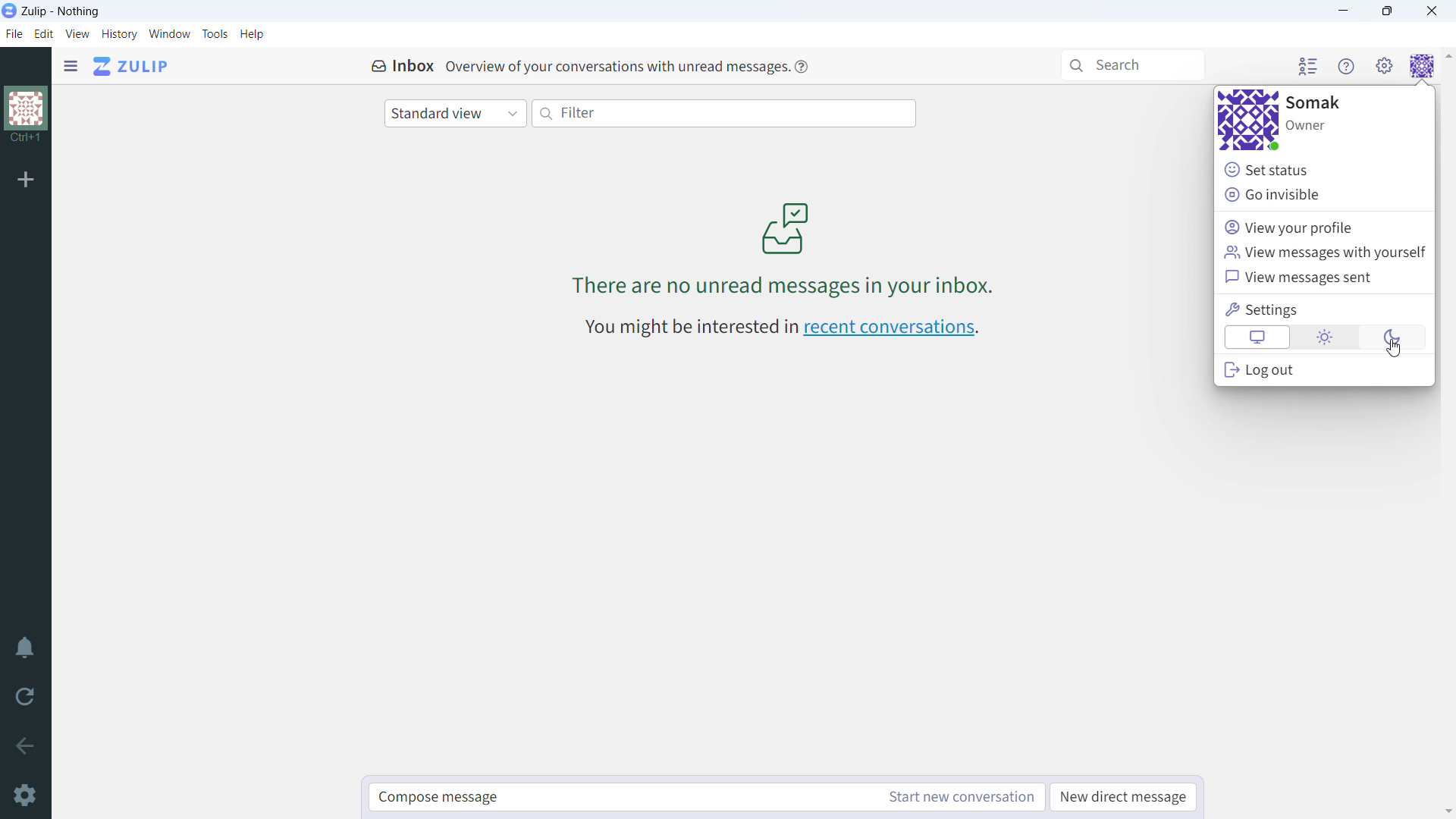  Describe the element at coordinates (24, 746) in the screenshot. I see `go back` at that location.